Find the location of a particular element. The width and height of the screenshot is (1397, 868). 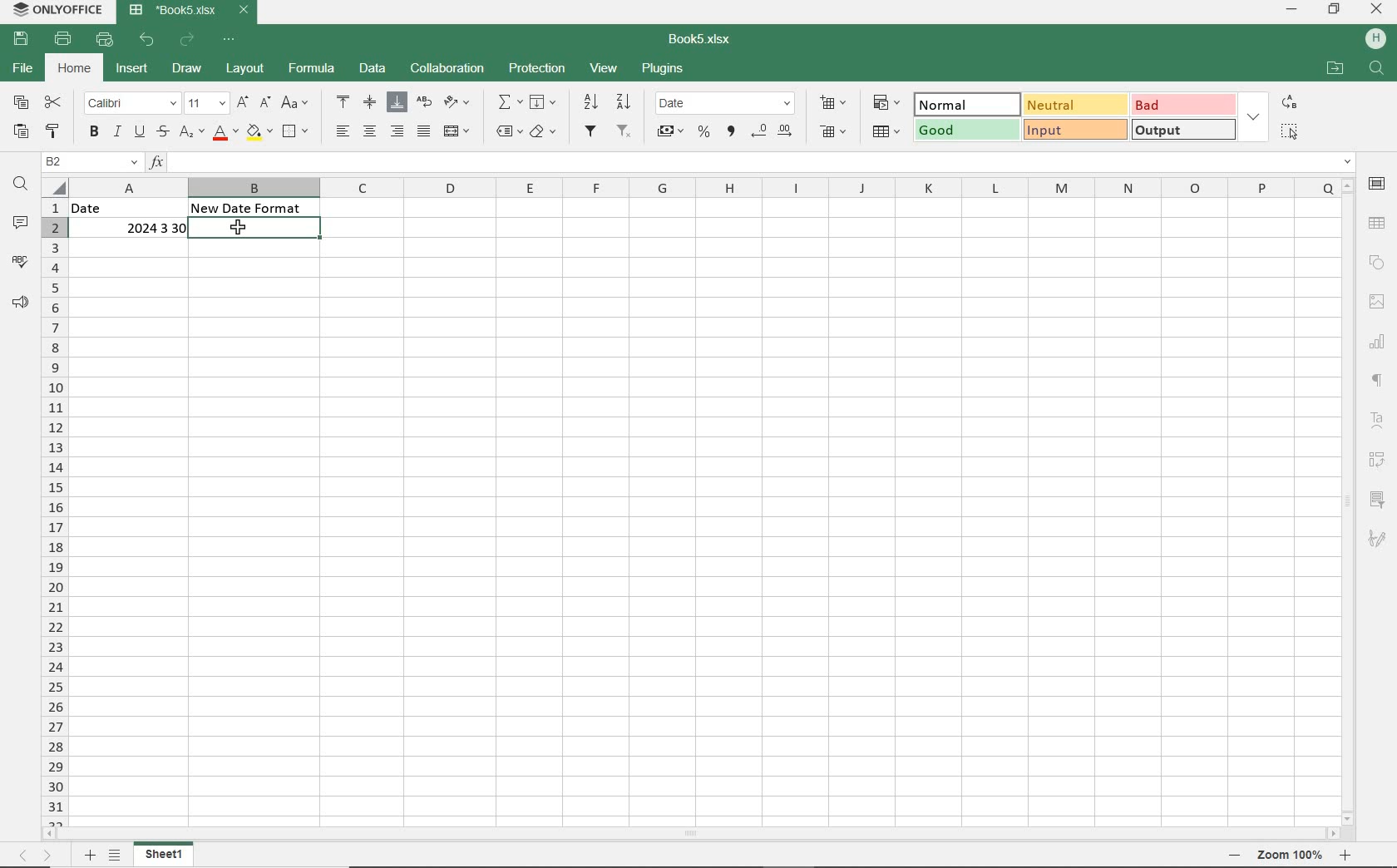

PROTECTION is located at coordinates (538, 68).